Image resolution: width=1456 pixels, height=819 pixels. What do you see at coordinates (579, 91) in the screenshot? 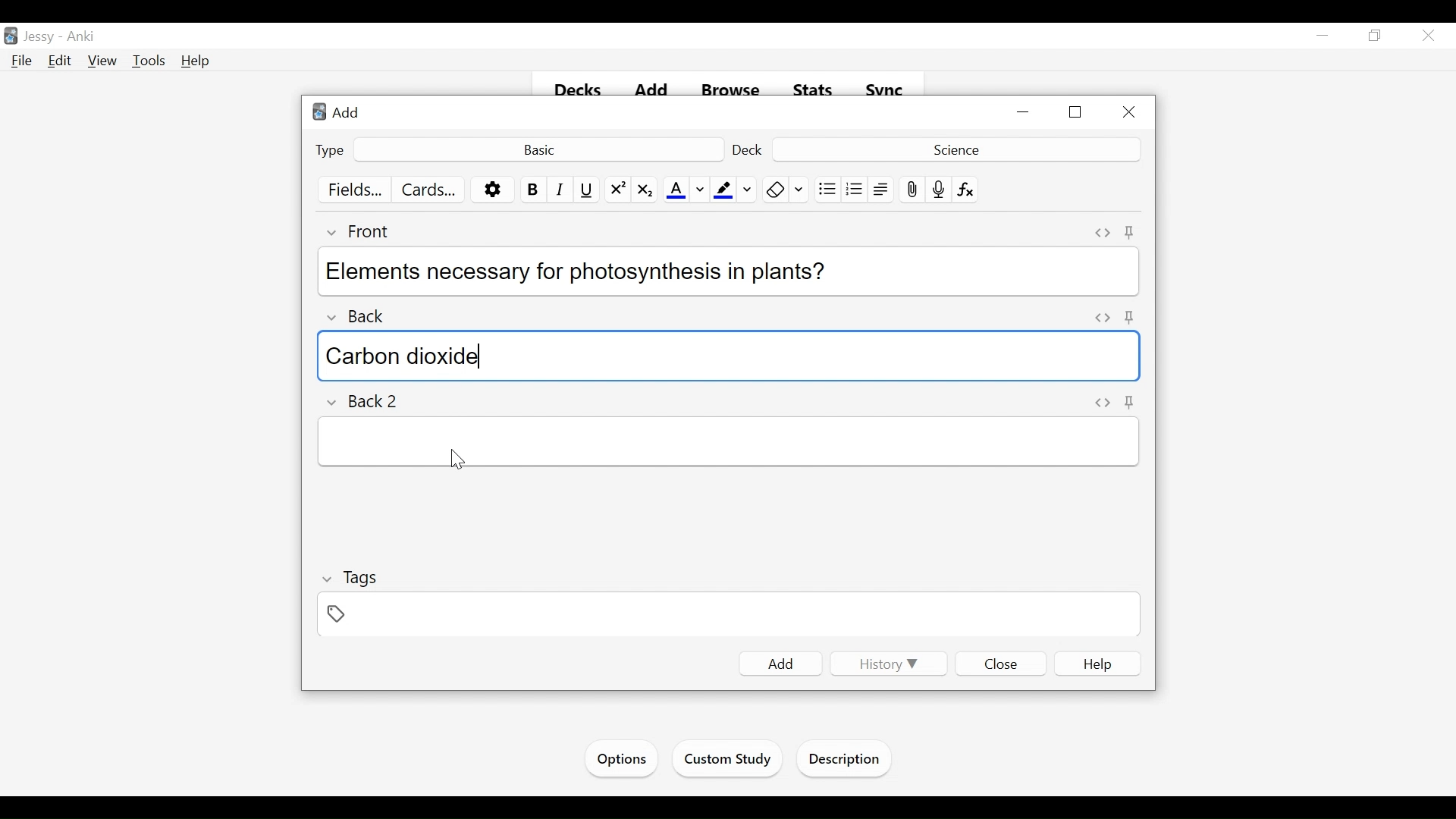
I see `Decks` at bounding box center [579, 91].